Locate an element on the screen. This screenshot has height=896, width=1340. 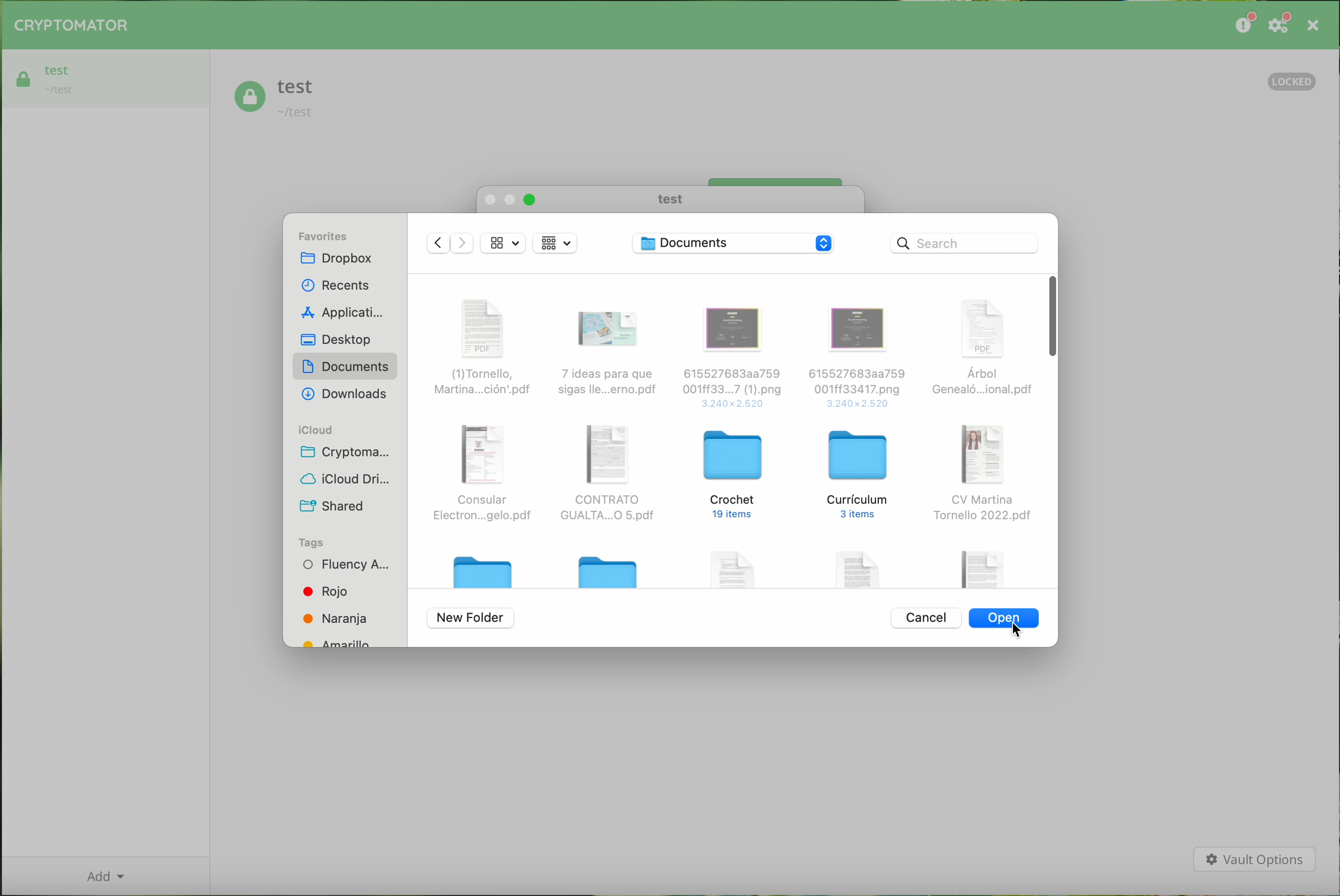
pdf file is located at coordinates (486, 343).